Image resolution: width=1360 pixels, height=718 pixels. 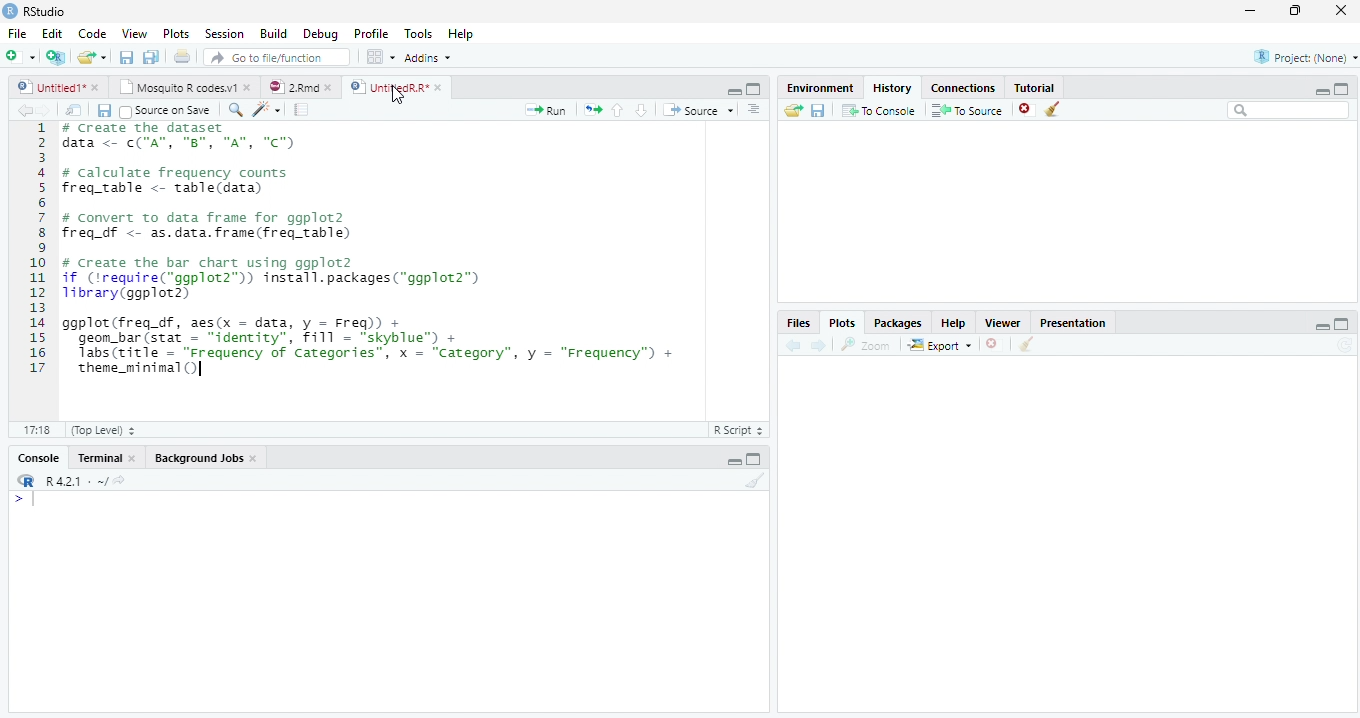 What do you see at coordinates (801, 323) in the screenshot?
I see `Files` at bounding box center [801, 323].